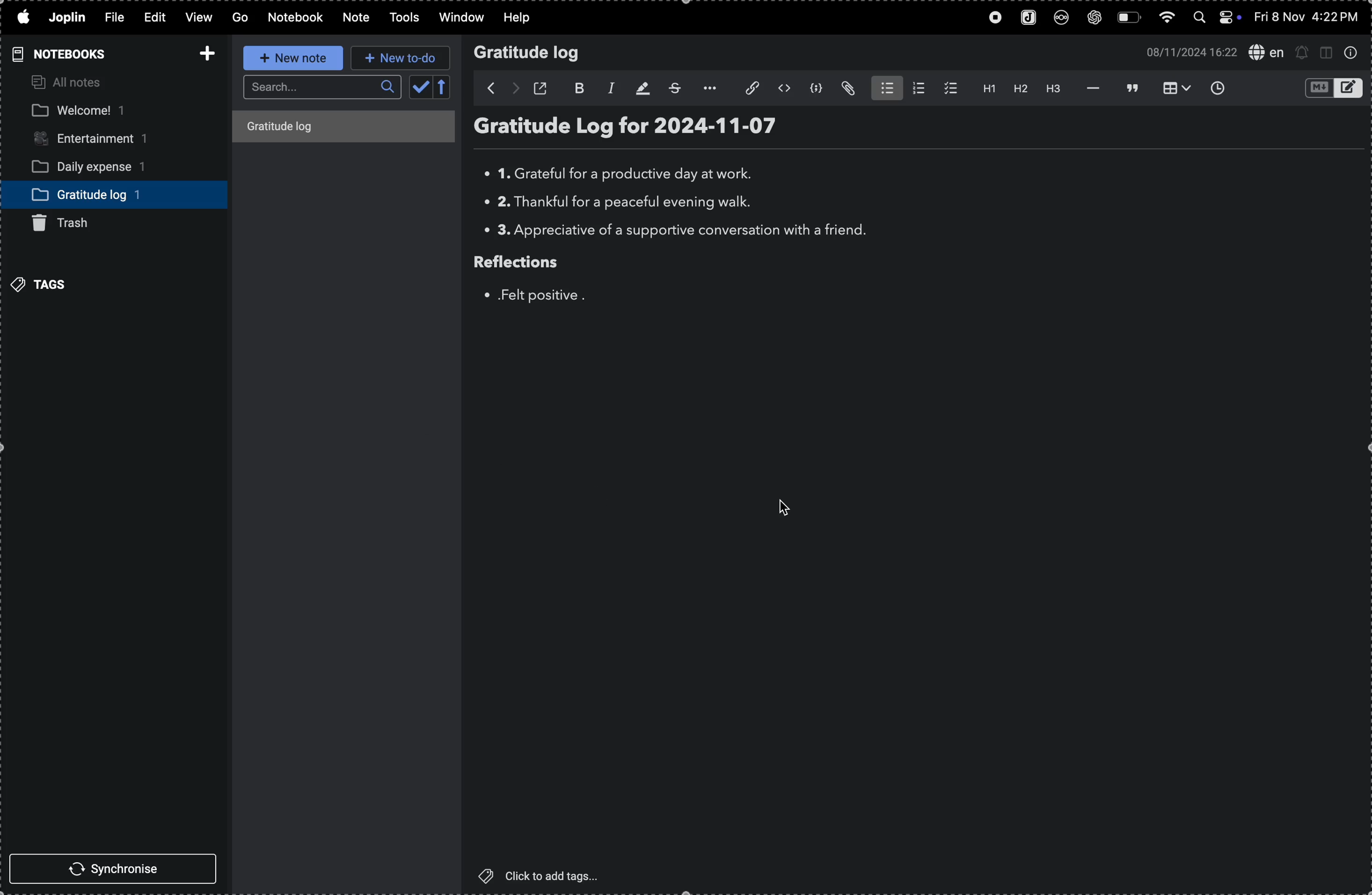 The width and height of the screenshot is (1372, 895). Describe the element at coordinates (532, 264) in the screenshot. I see `reflection` at that location.